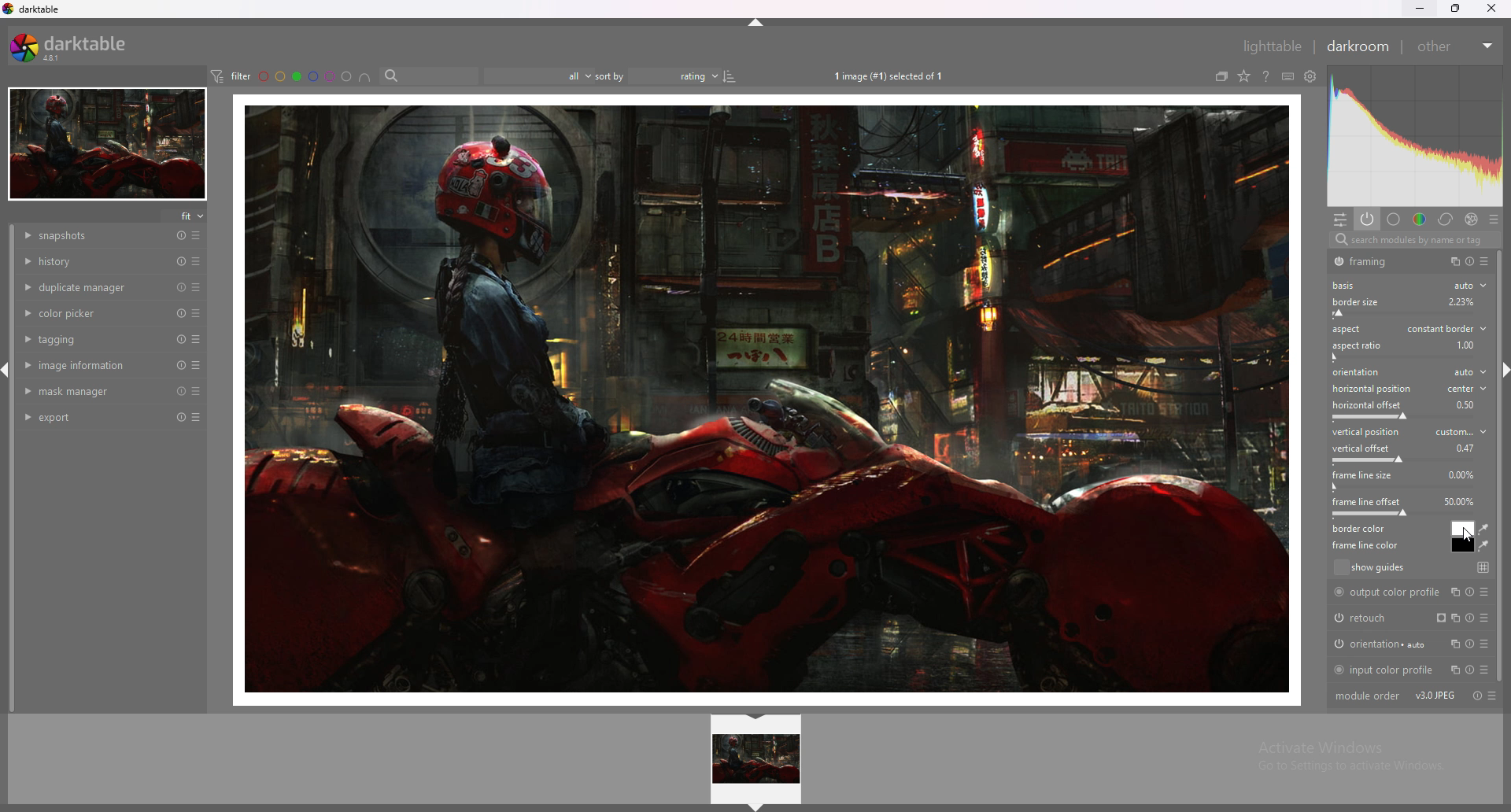  What do you see at coordinates (1420, 218) in the screenshot?
I see `color` at bounding box center [1420, 218].